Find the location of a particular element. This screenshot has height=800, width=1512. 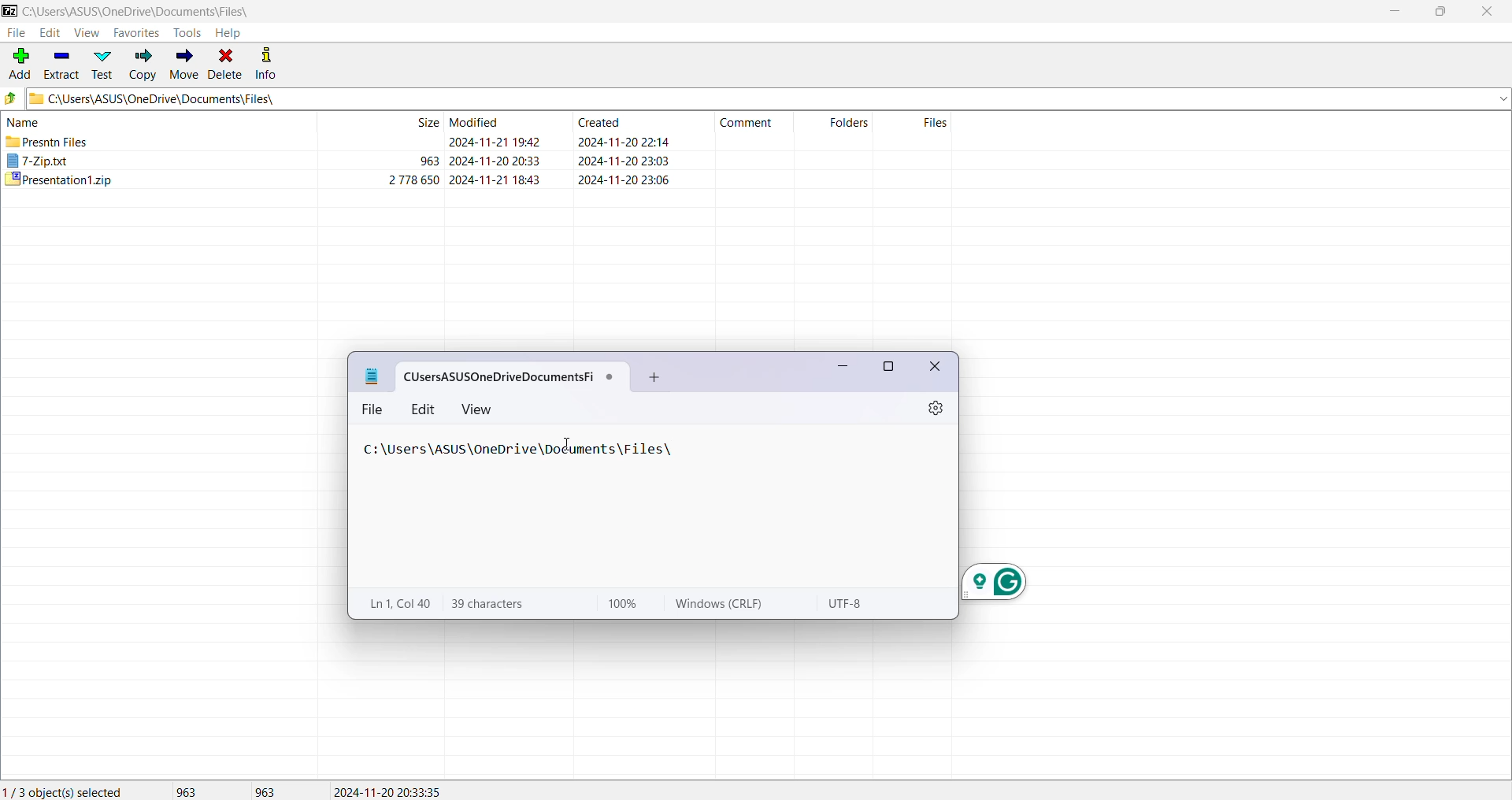

Minimize is located at coordinates (839, 367).